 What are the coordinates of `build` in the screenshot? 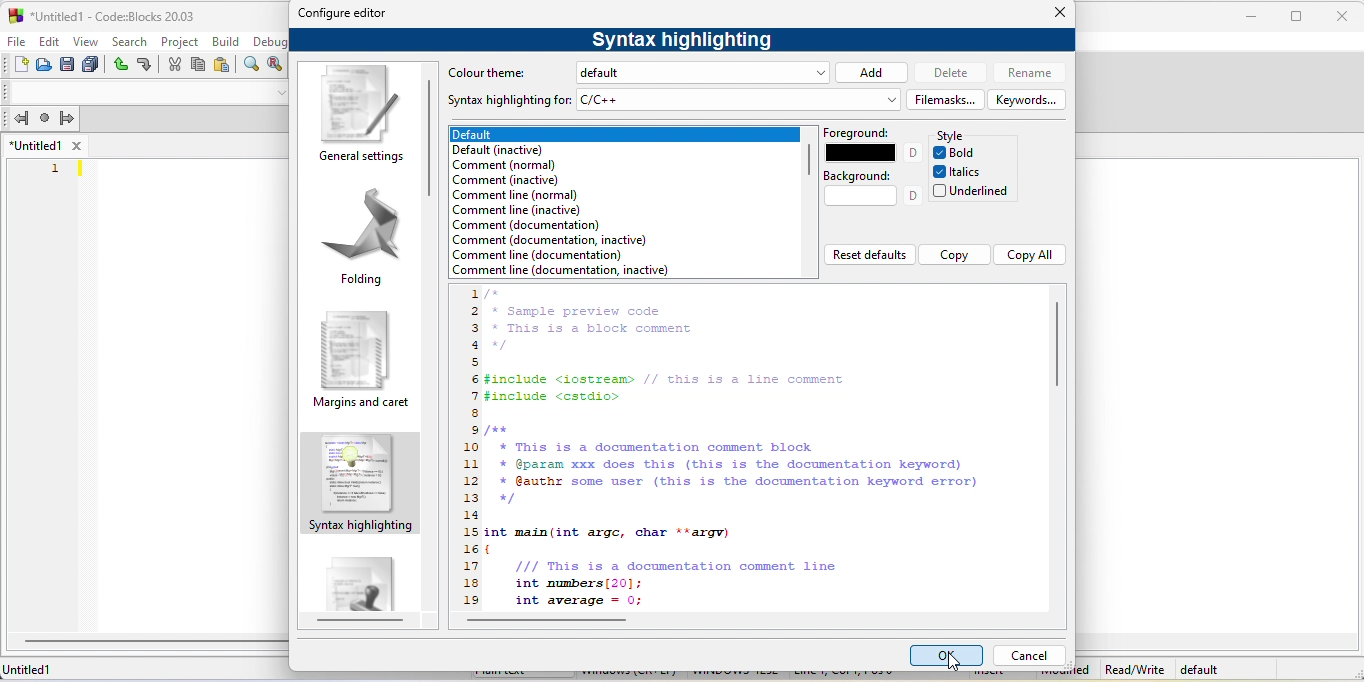 It's located at (226, 42).